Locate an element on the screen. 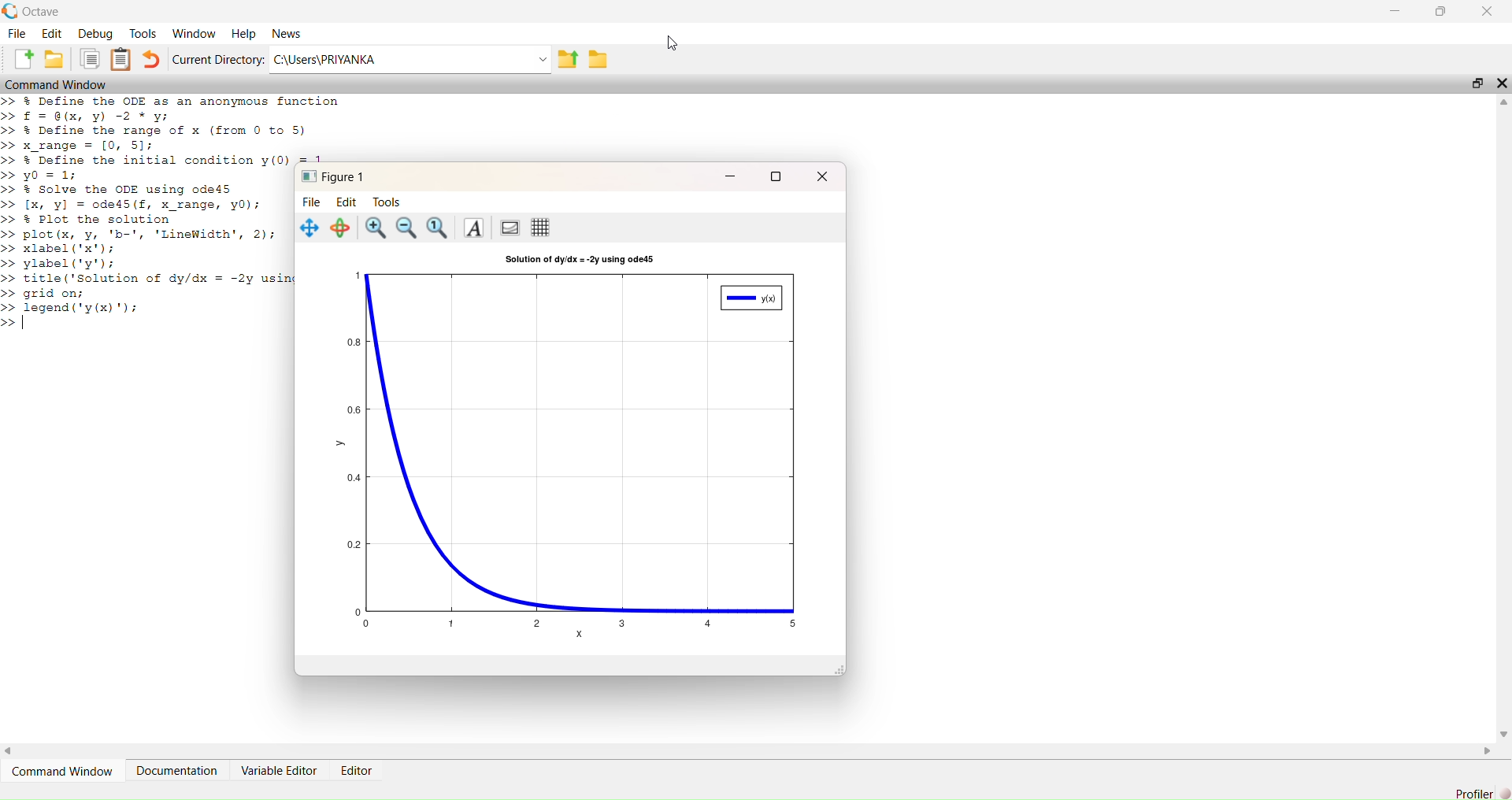 This screenshot has height=800, width=1512. File is located at coordinates (311, 202).